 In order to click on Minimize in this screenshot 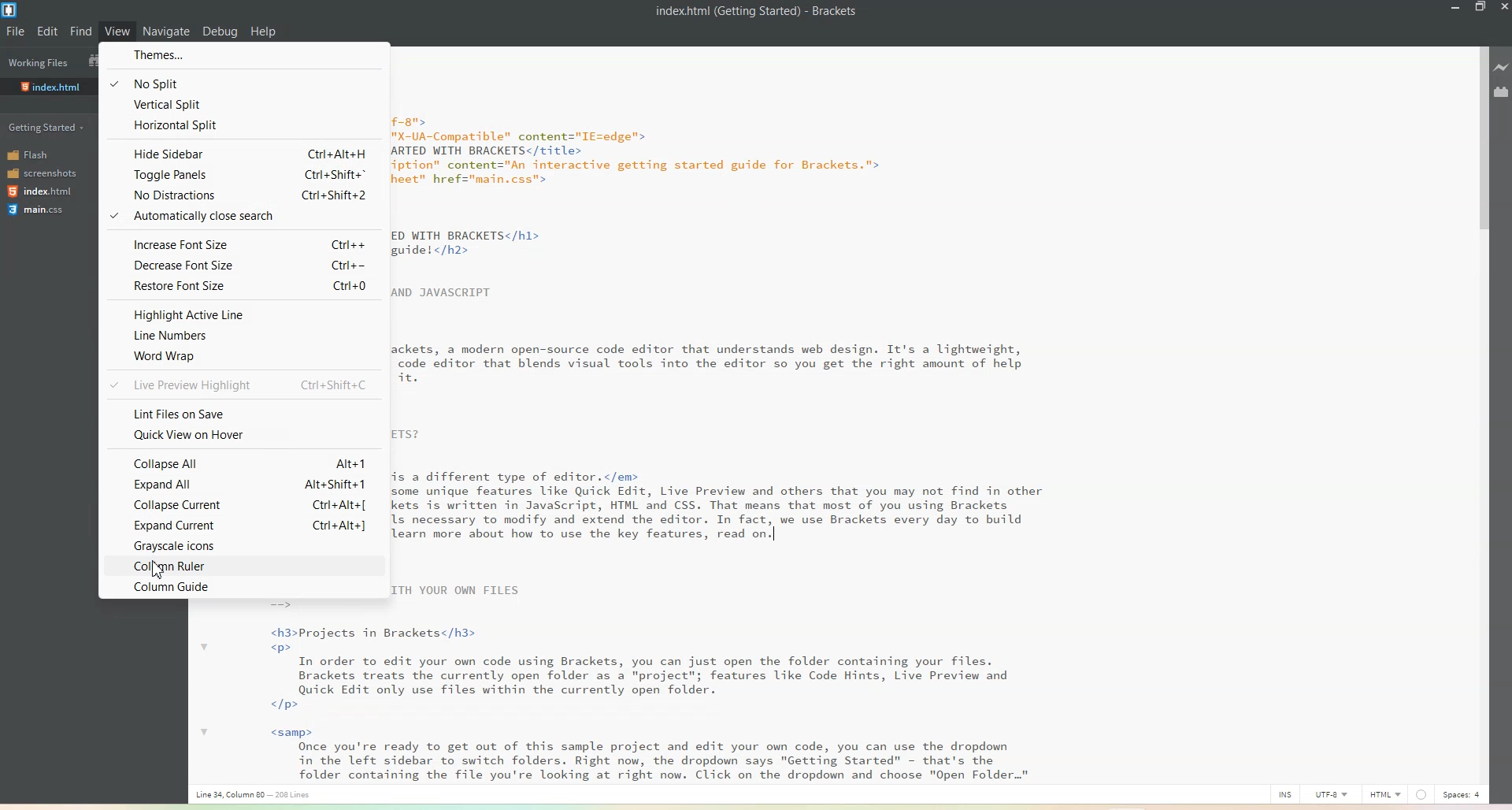, I will do `click(1454, 8)`.